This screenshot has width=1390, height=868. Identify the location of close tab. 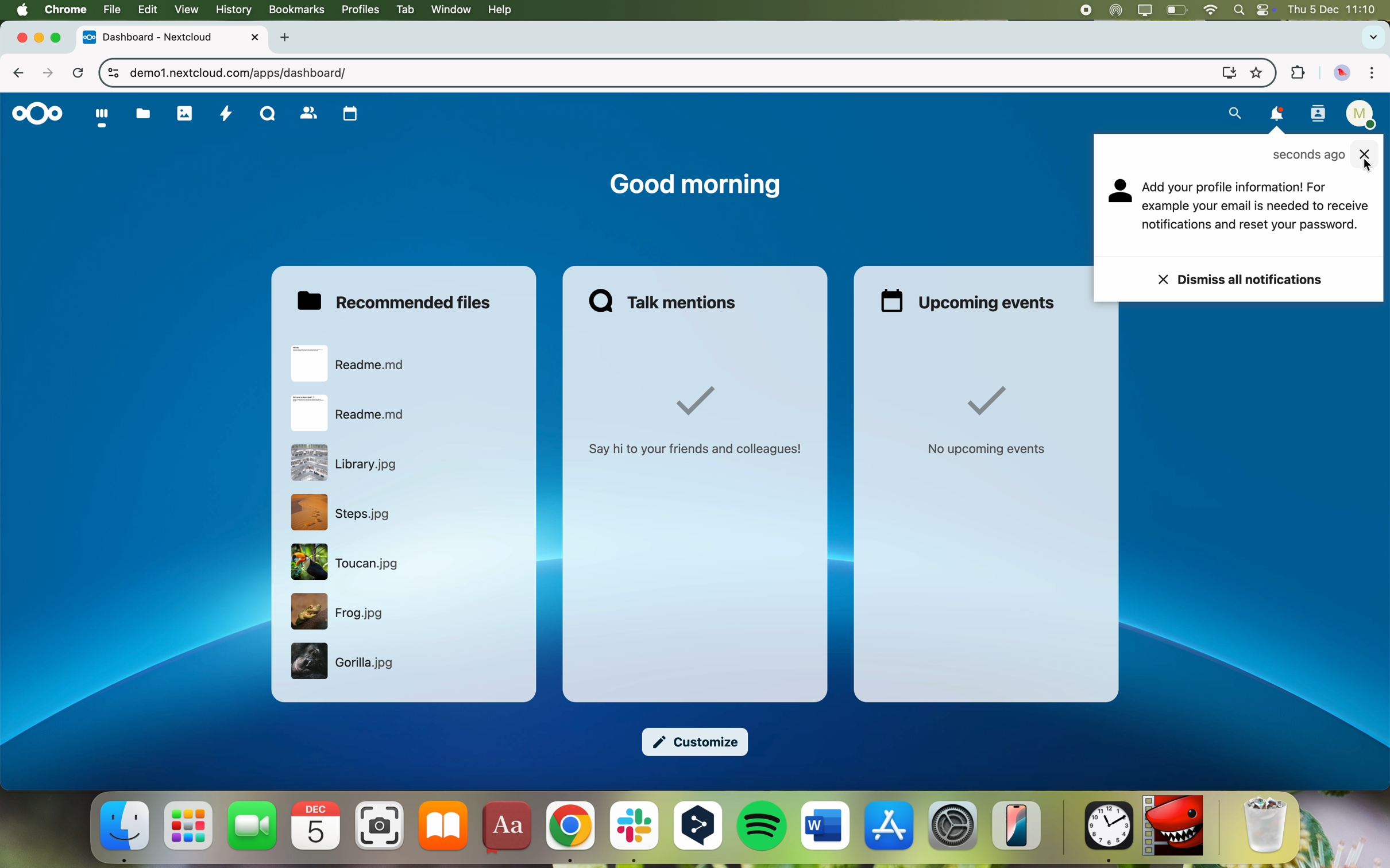
(16, 37).